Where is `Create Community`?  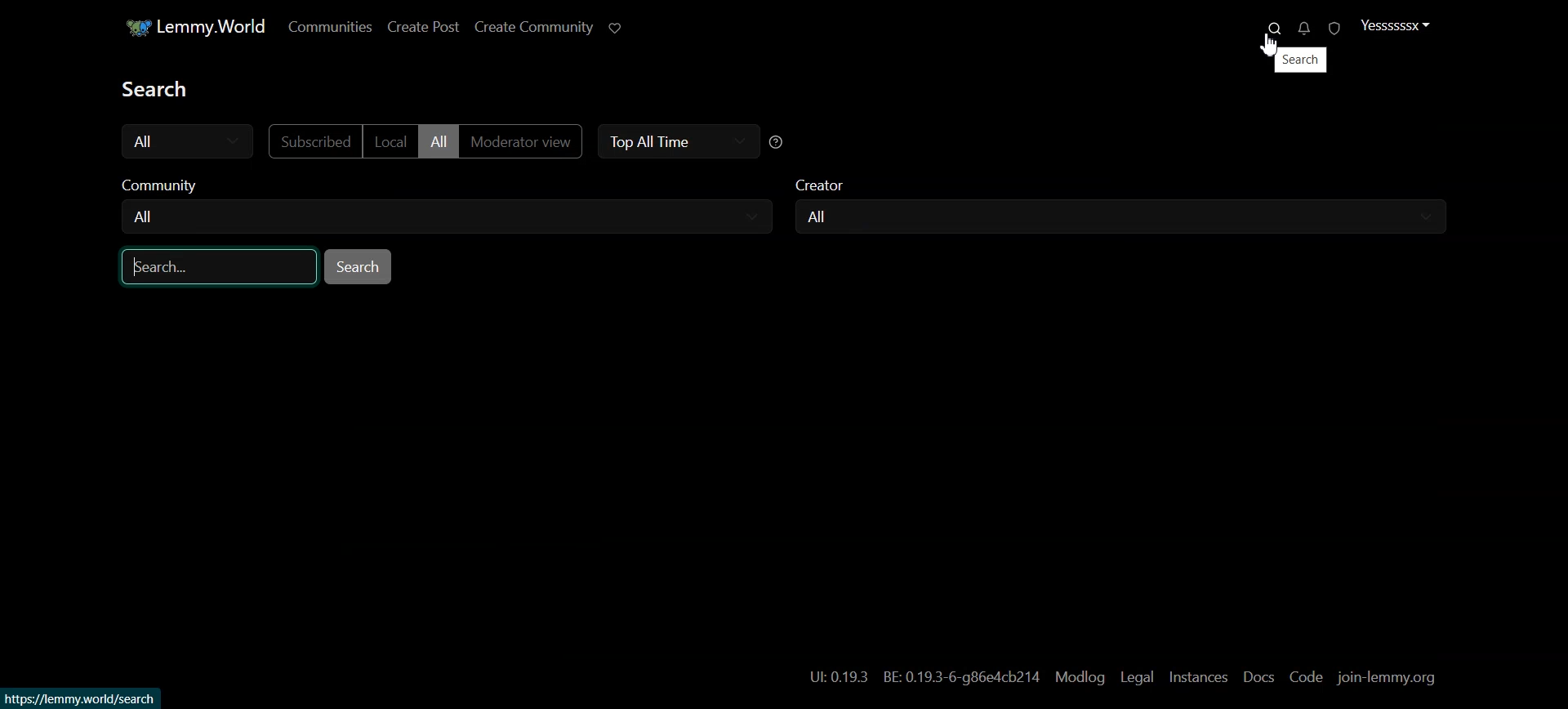
Create Community is located at coordinates (534, 25).